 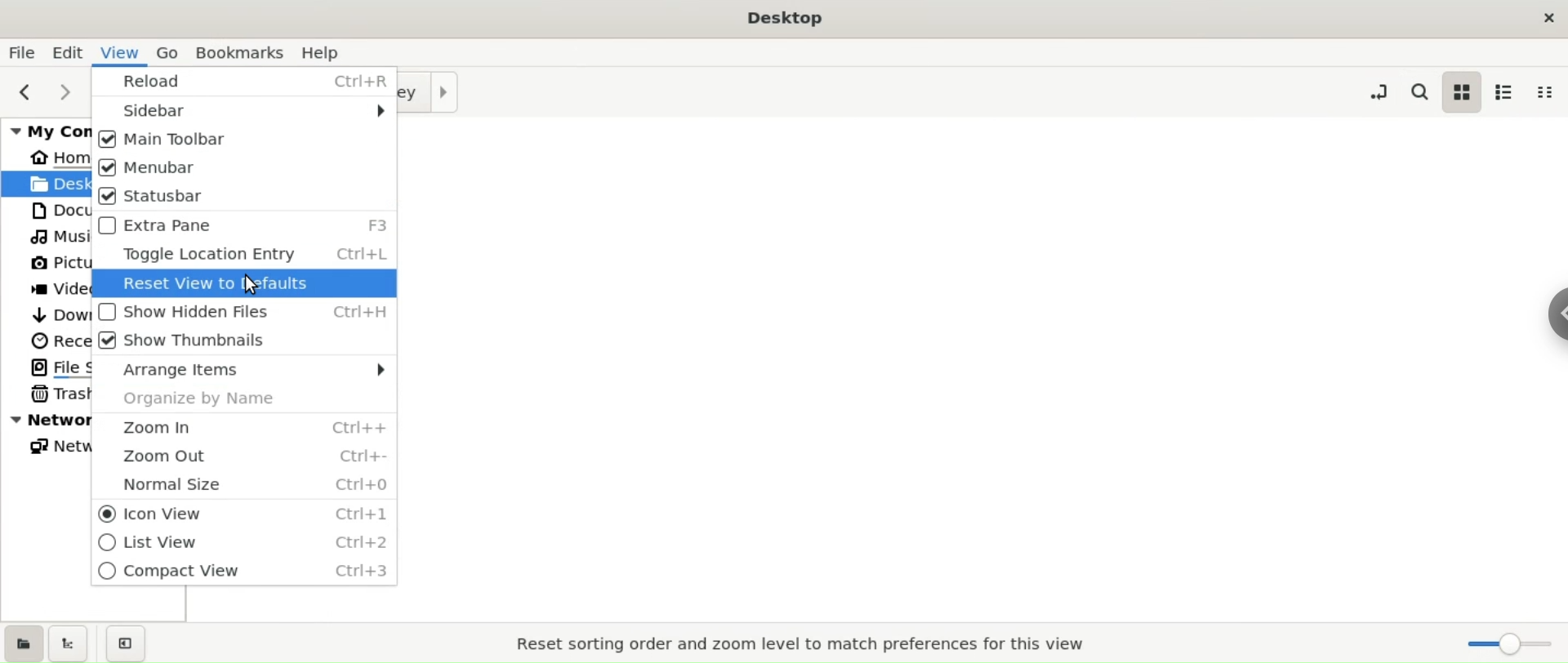 I want to click on compact view, so click(x=1544, y=92).